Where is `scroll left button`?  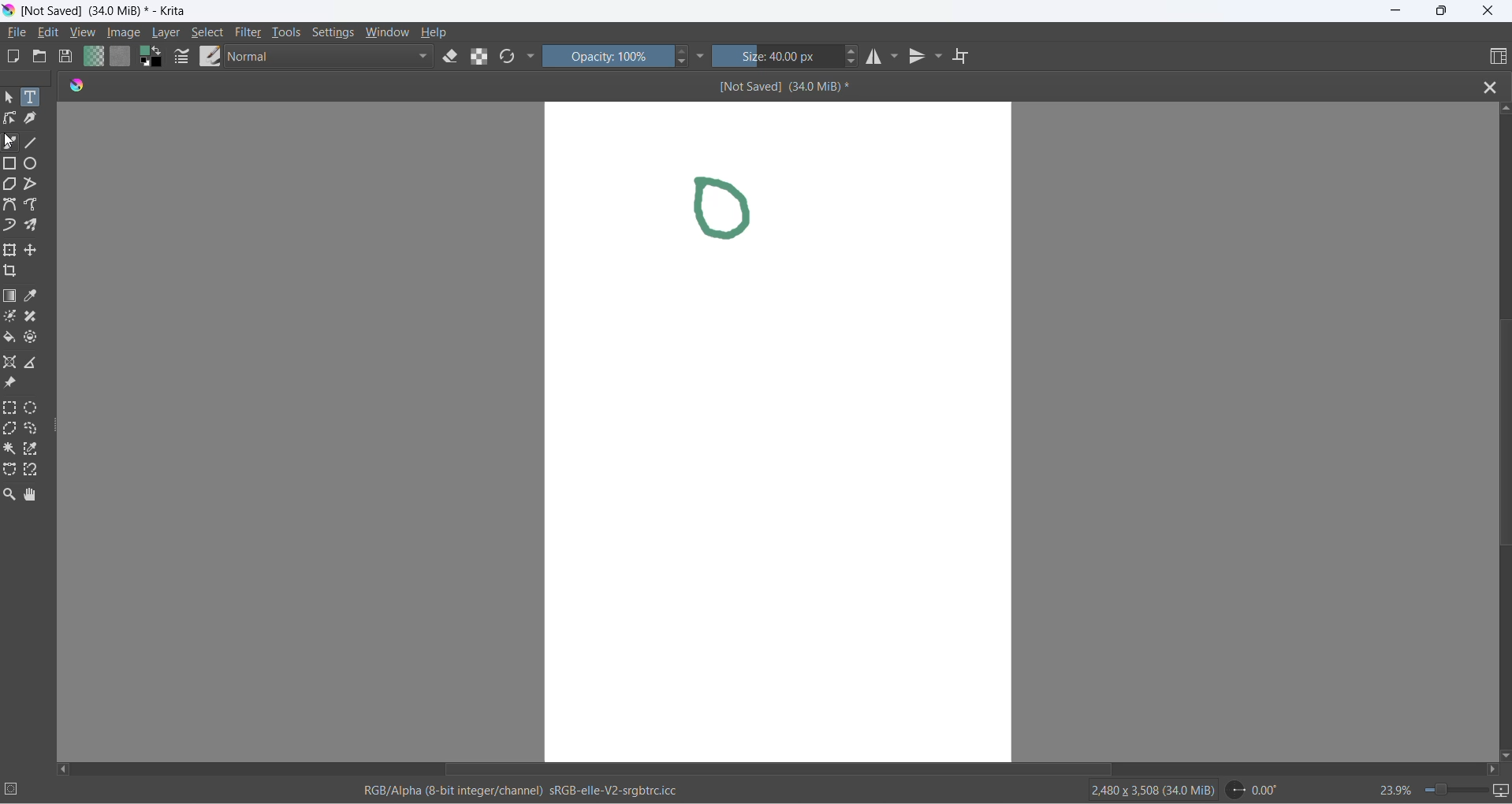
scroll left button is located at coordinates (69, 765).